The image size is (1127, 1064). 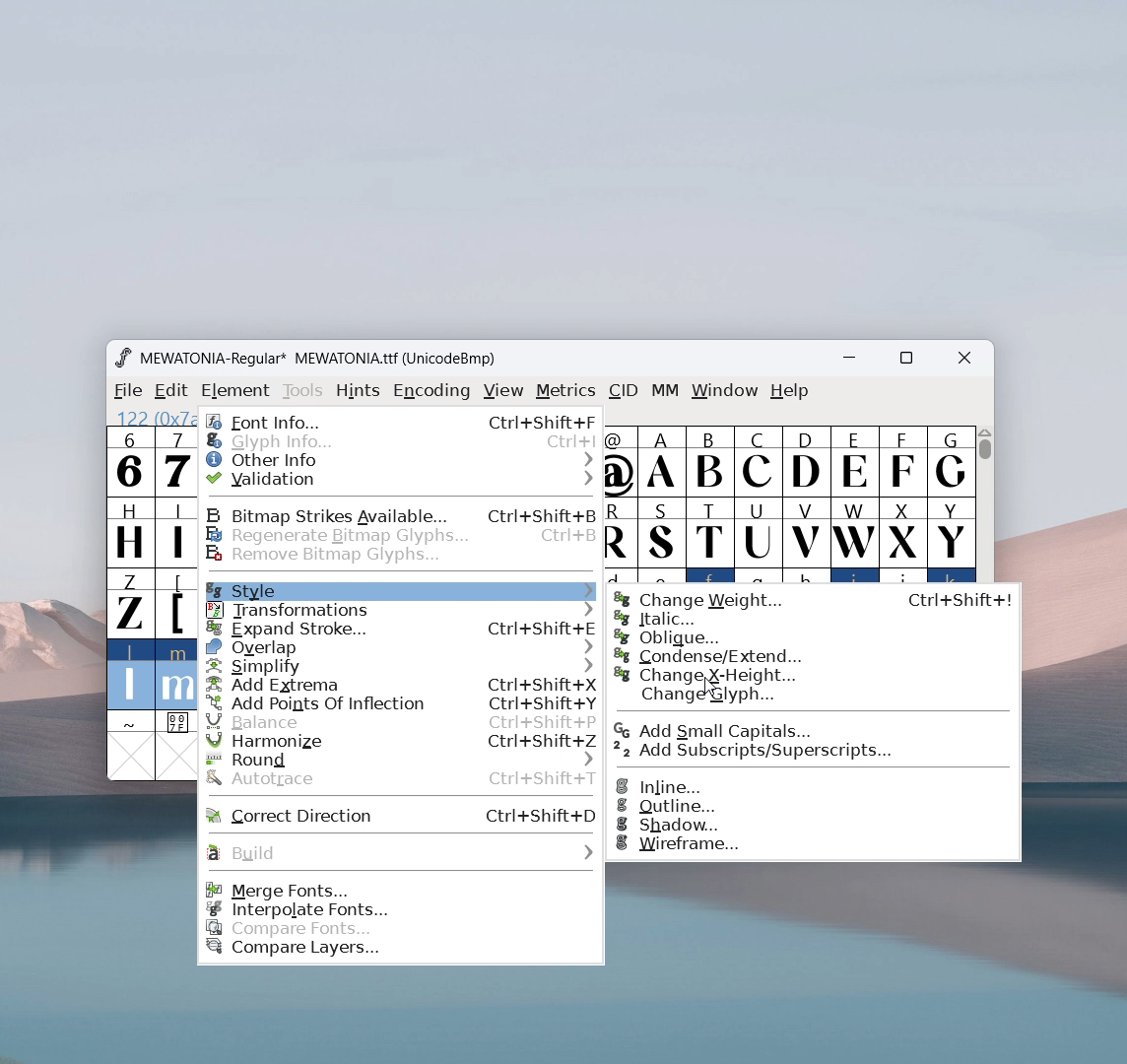 What do you see at coordinates (172, 391) in the screenshot?
I see `edit` at bounding box center [172, 391].